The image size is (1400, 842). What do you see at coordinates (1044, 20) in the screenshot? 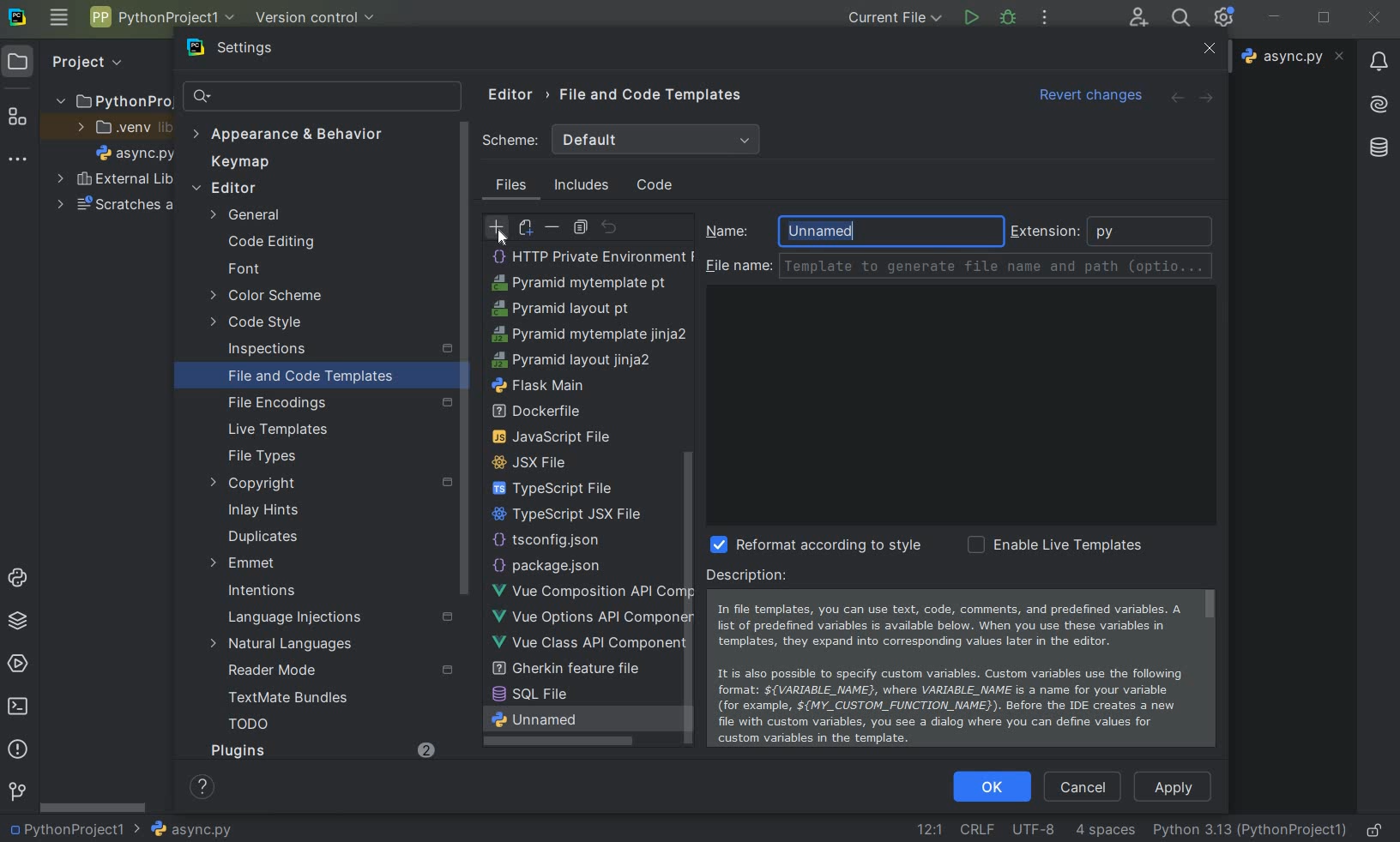
I see `more actions` at bounding box center [1044, 20].